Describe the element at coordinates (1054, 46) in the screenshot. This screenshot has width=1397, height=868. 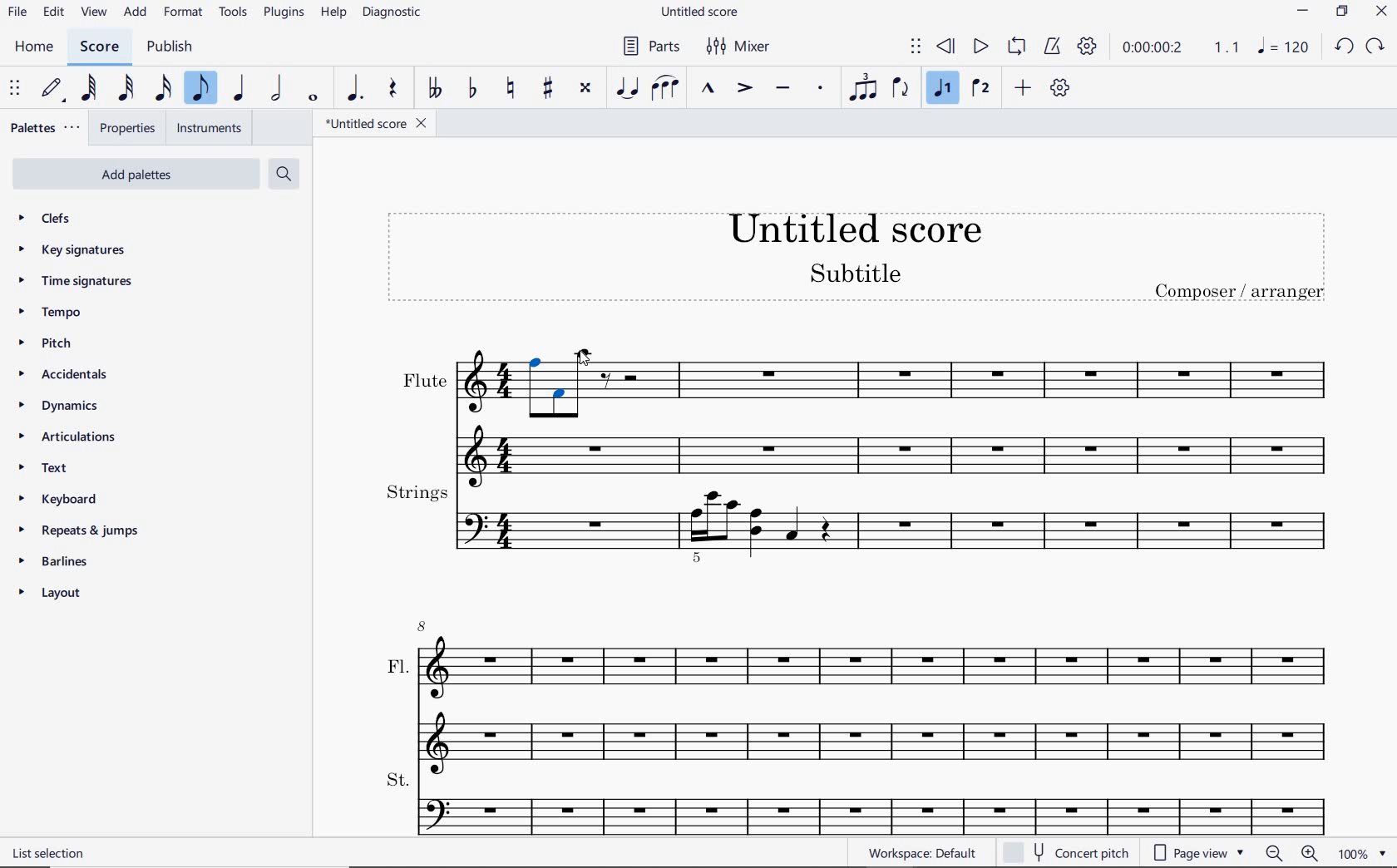
I see `METRONOME` at that location.